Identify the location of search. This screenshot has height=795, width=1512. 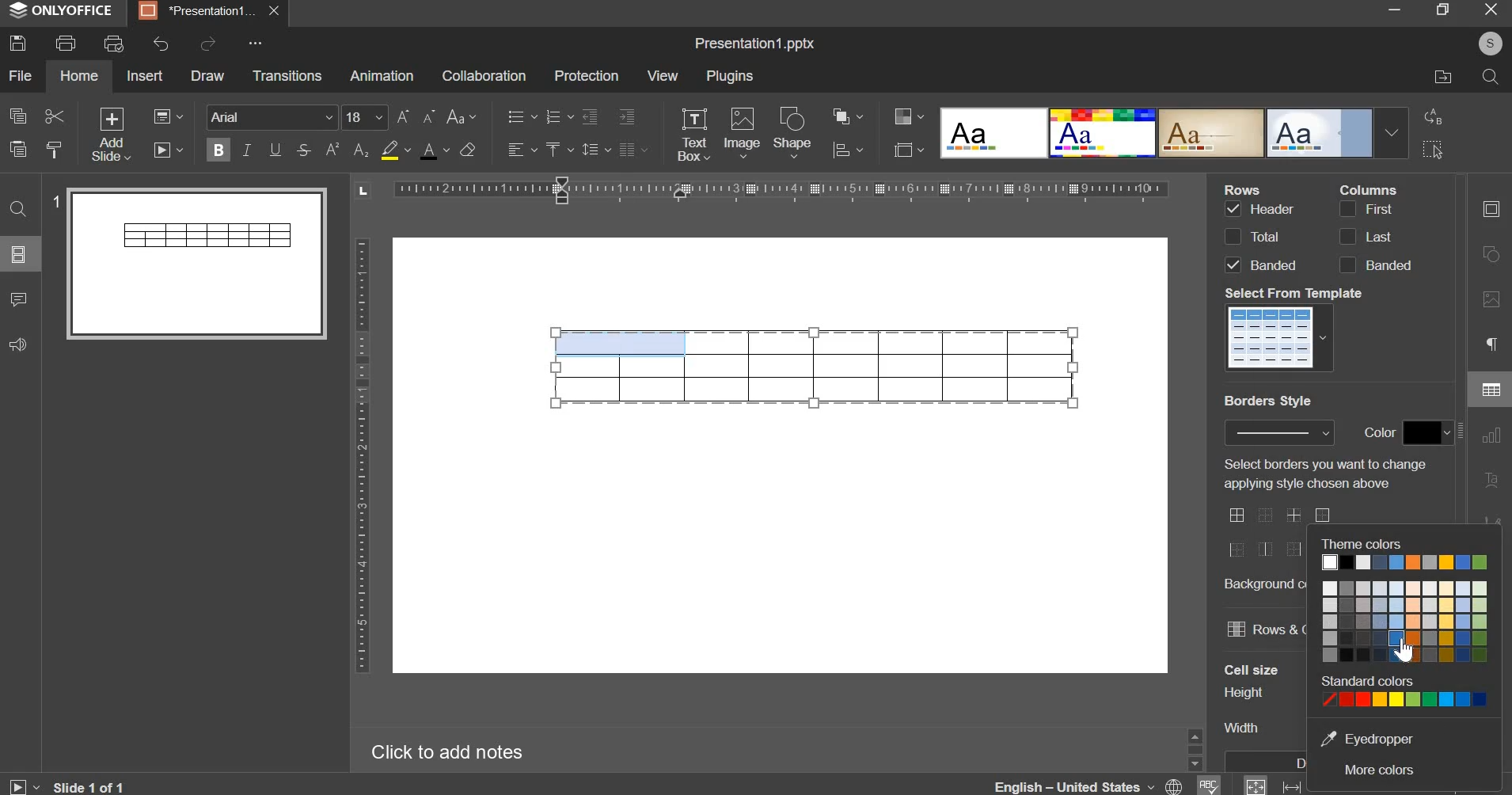
(1489, 77).